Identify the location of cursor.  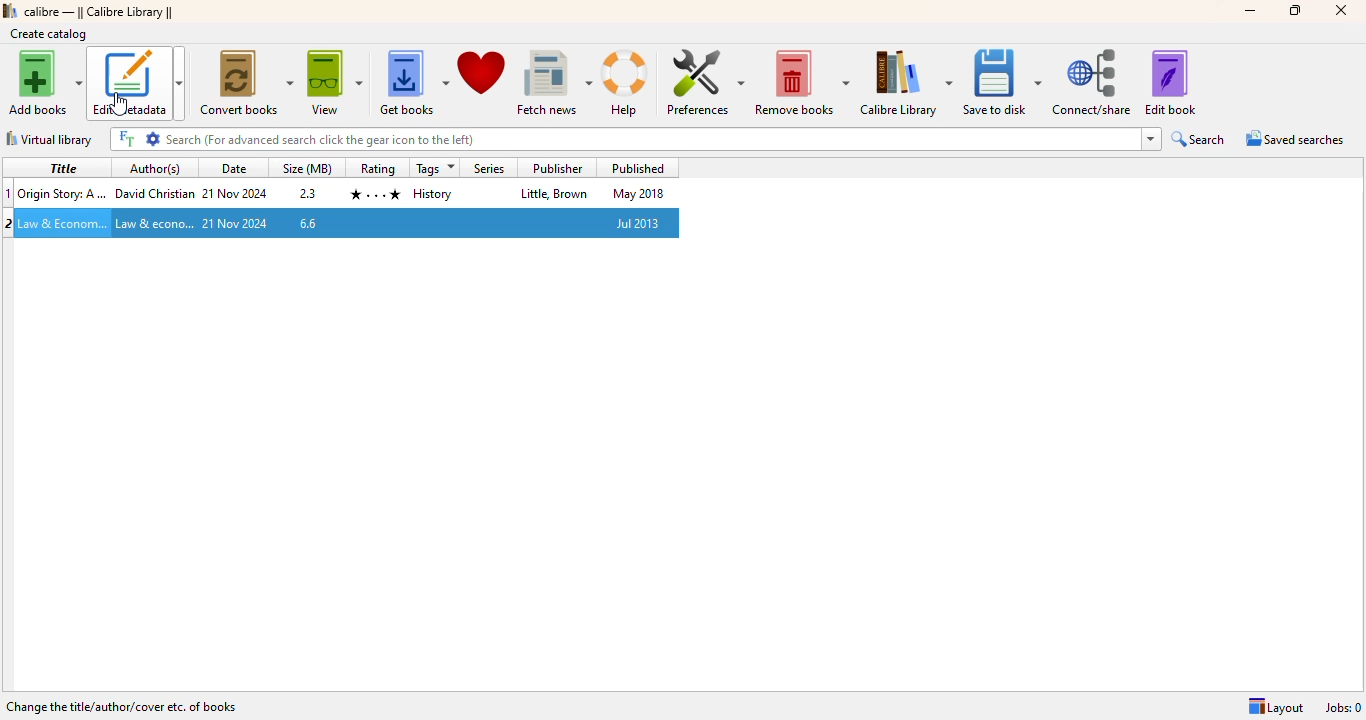
(119, 103).